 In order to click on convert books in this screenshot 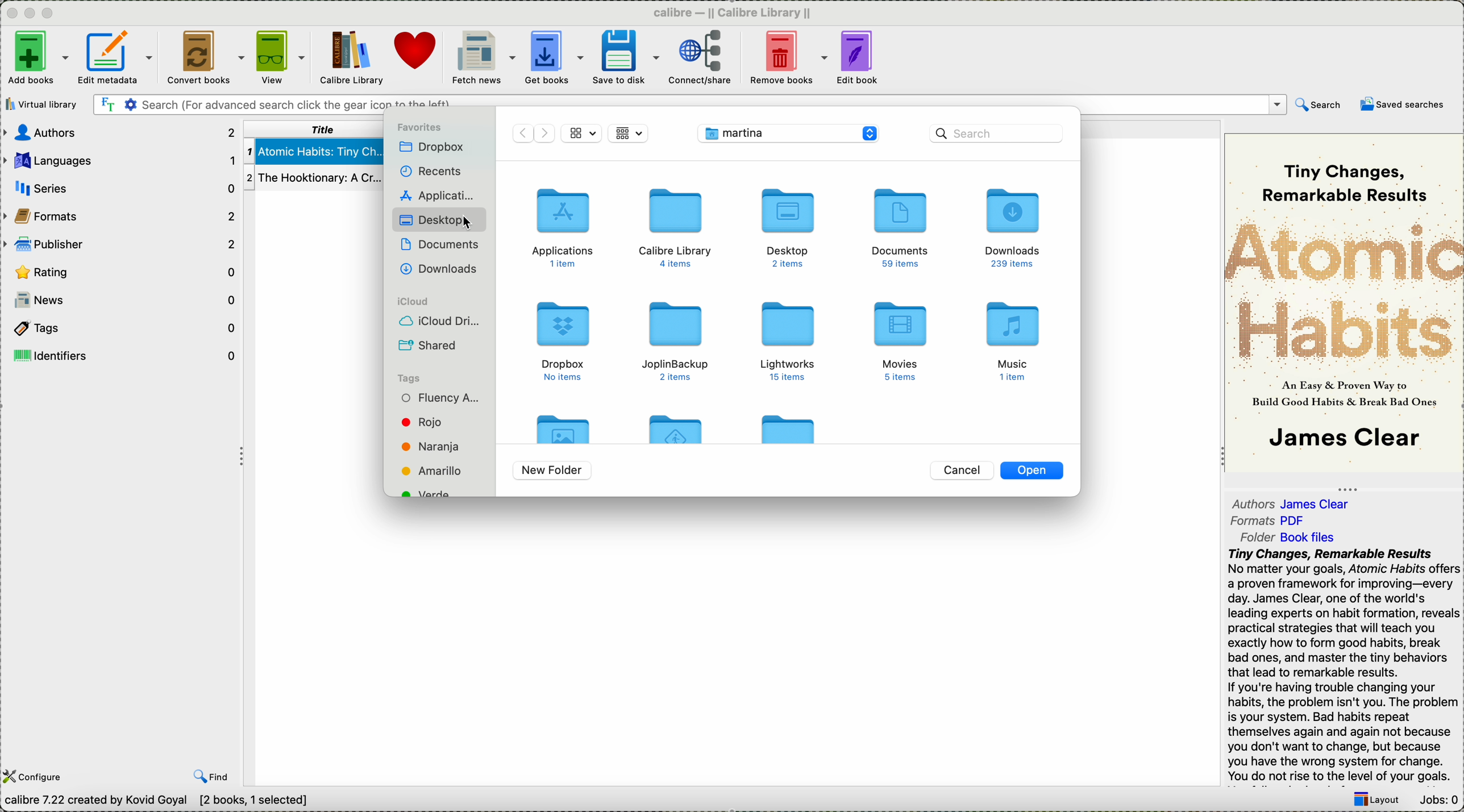, I will do `click(204, 55)`.